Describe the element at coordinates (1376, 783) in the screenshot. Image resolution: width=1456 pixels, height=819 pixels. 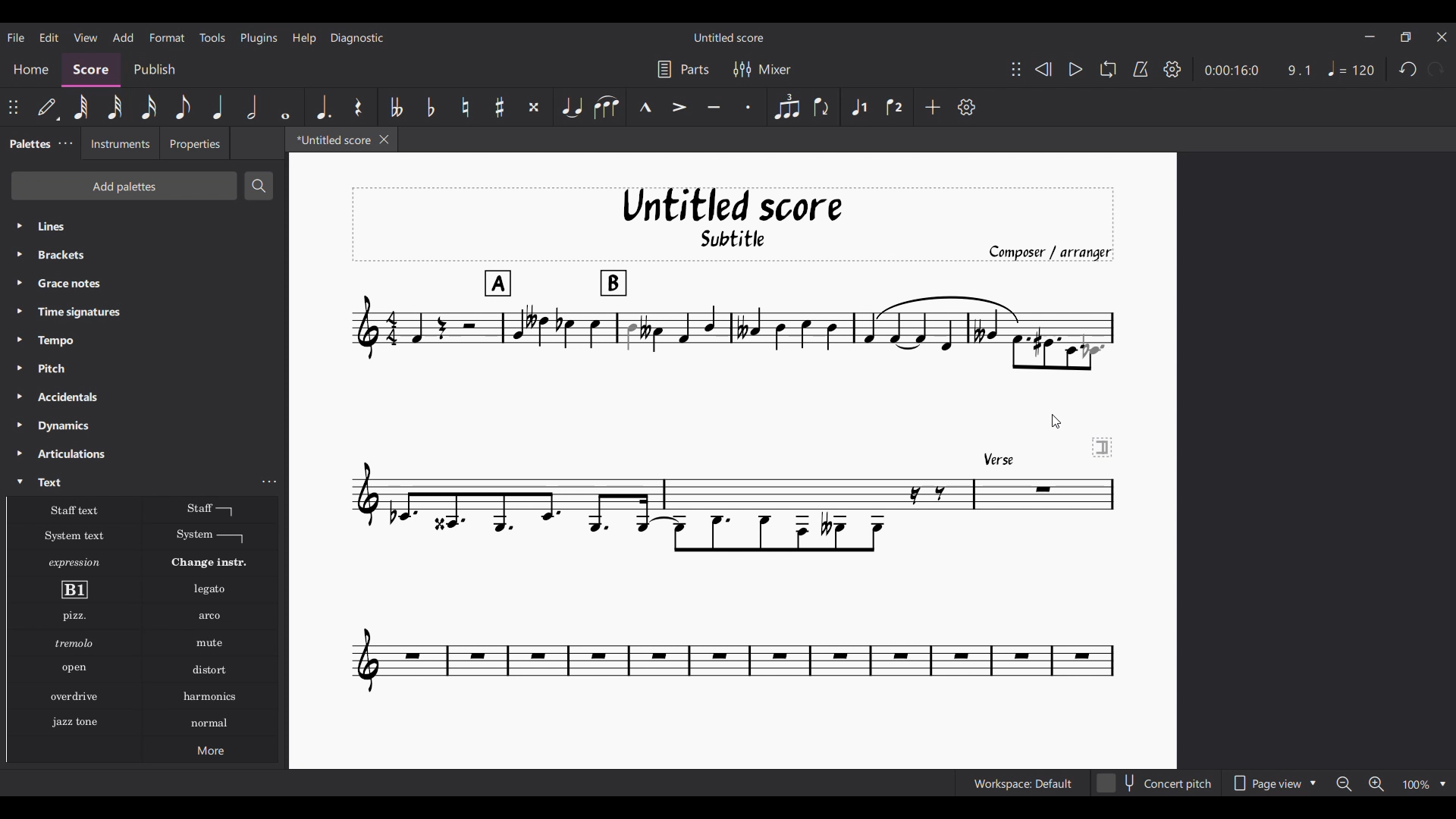
I see `Zoom in` at that location.